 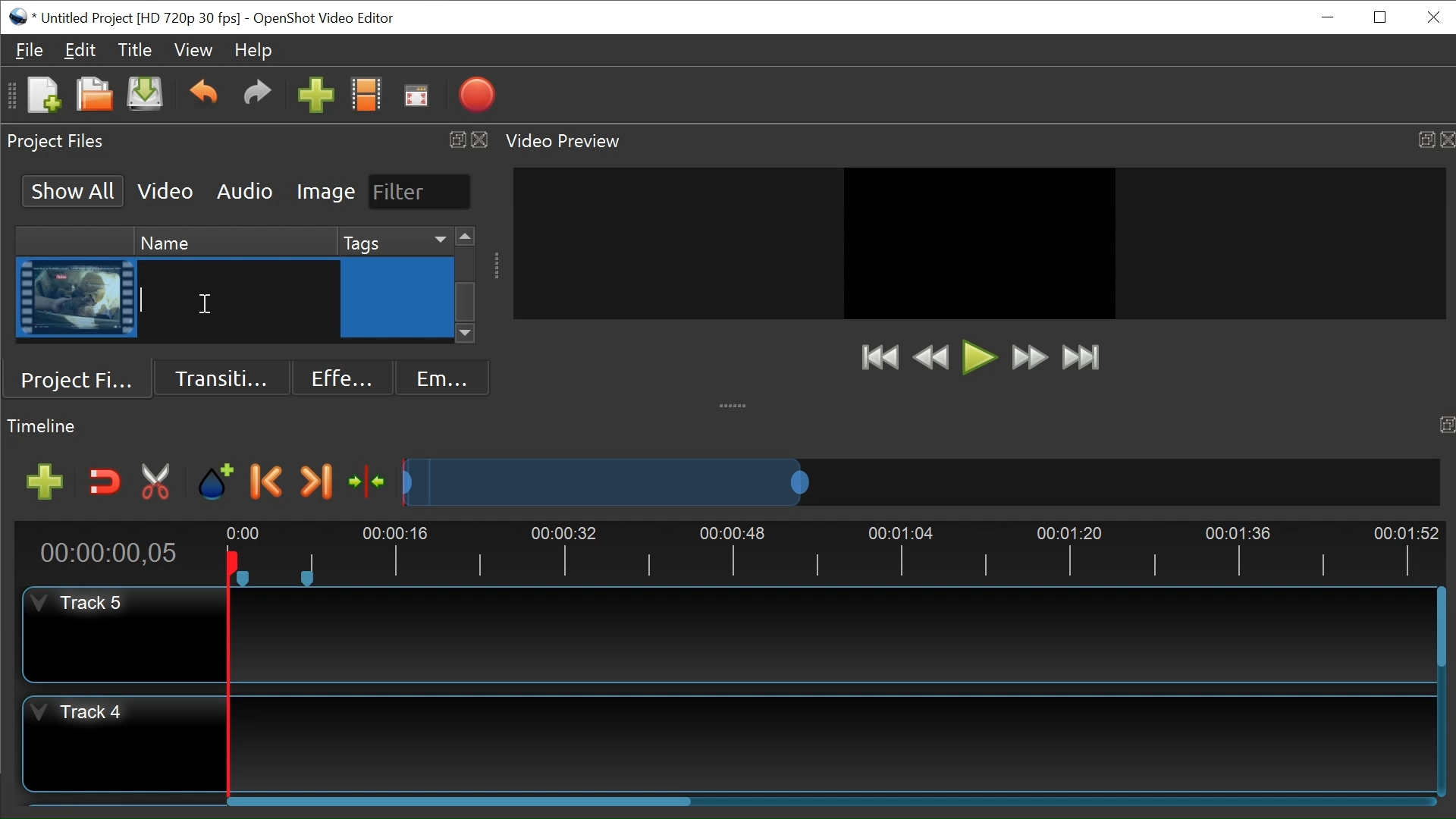 I want to click on Restore, so click(x=1380, y=16).